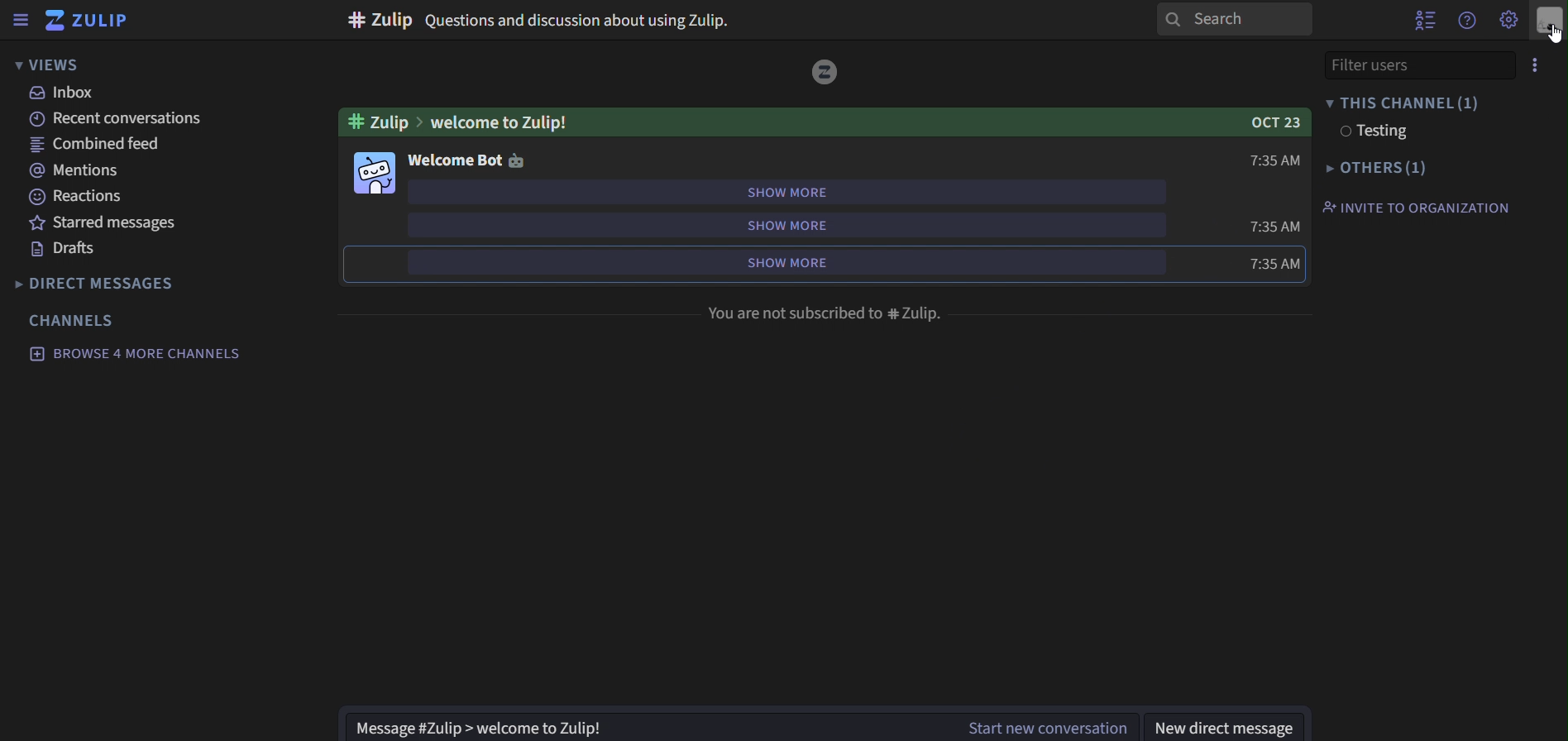 Image resolution: width=1568 pixels, height=741 pixels. I want to click on browse 4 more channels, so click(136, 354).